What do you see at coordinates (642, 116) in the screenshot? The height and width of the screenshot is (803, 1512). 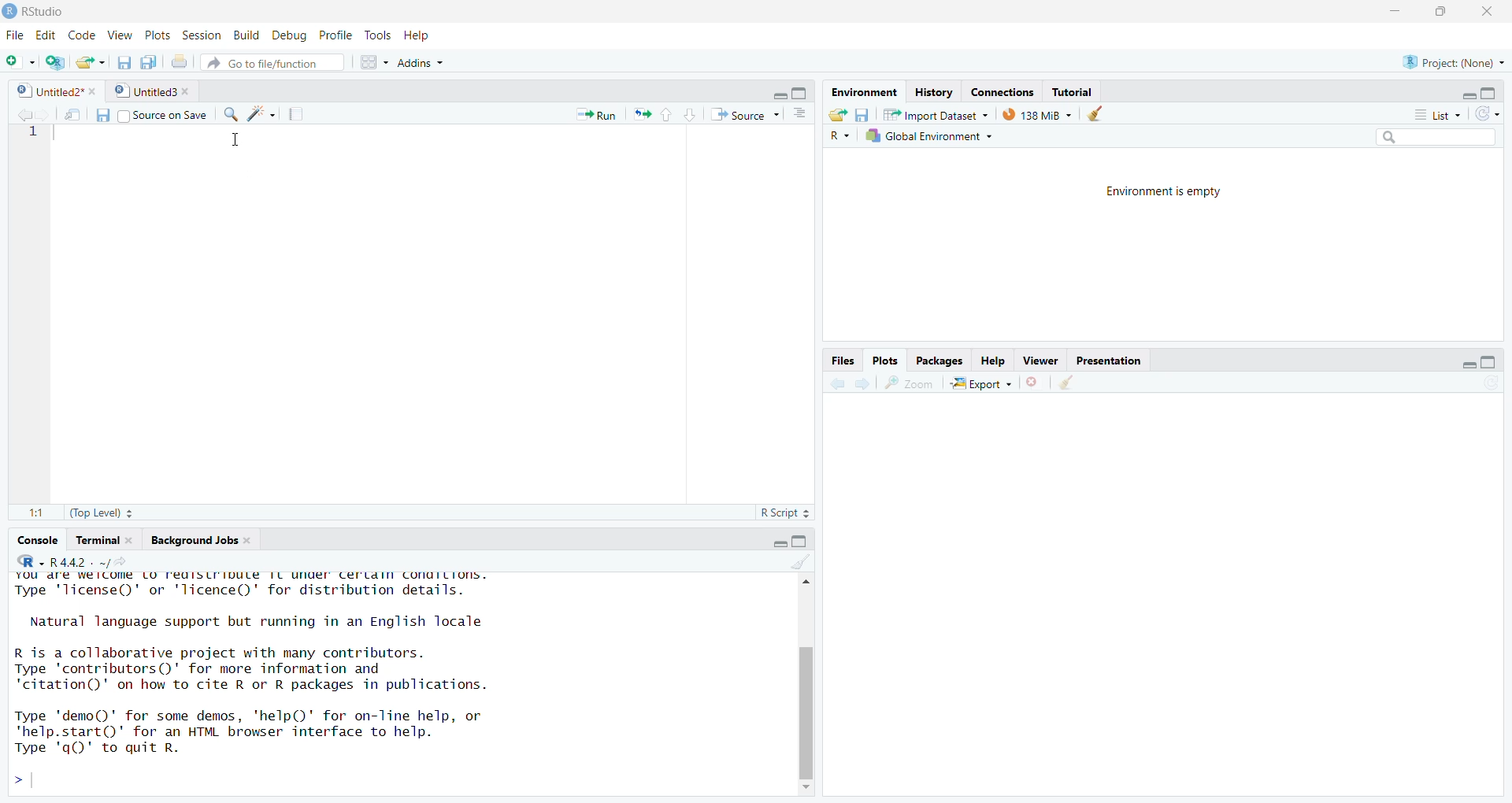 I see `rerun` at bounding box center [642, 116].